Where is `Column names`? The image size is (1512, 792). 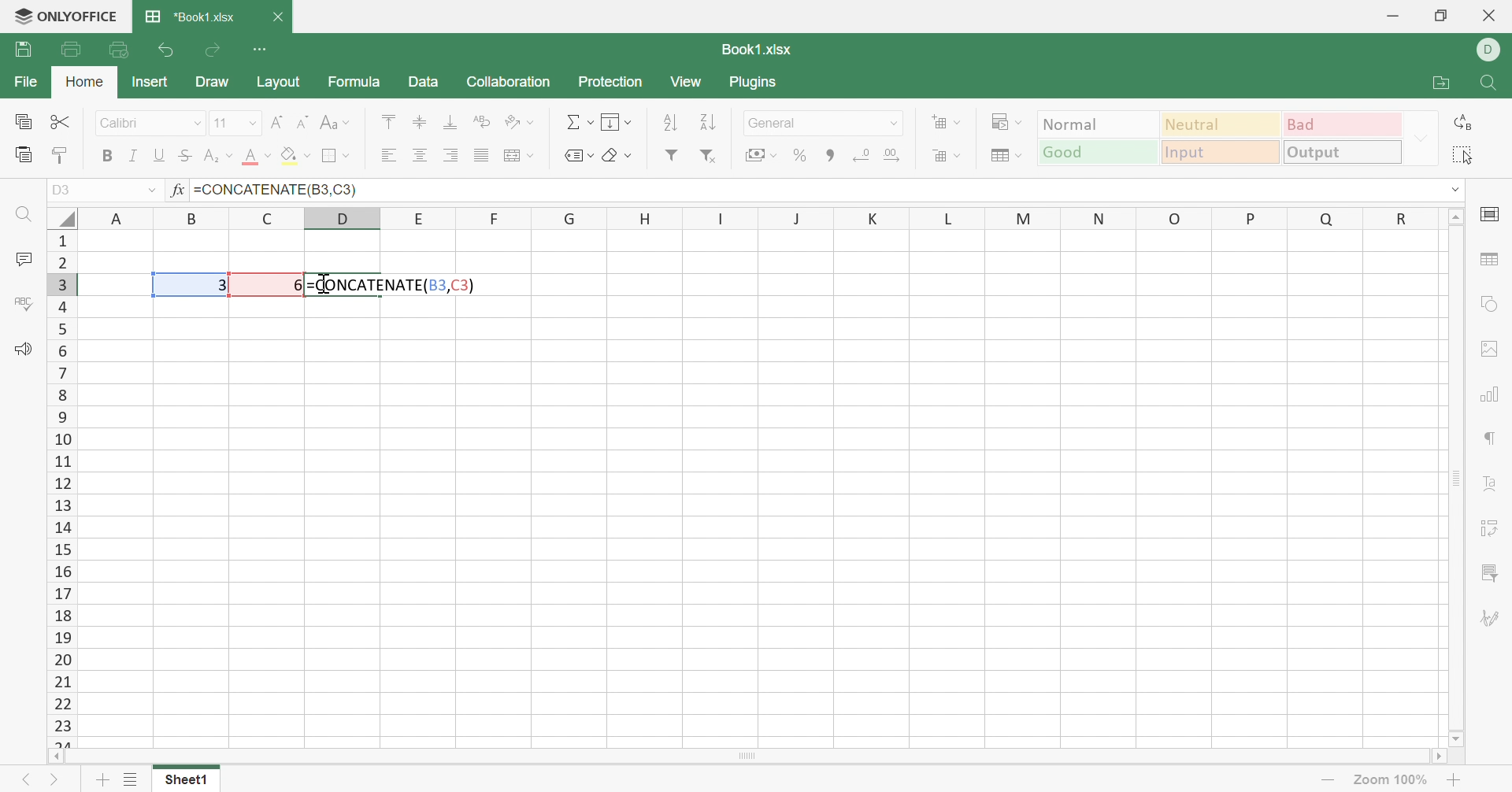
Column names is located at coordinates (756, 216).